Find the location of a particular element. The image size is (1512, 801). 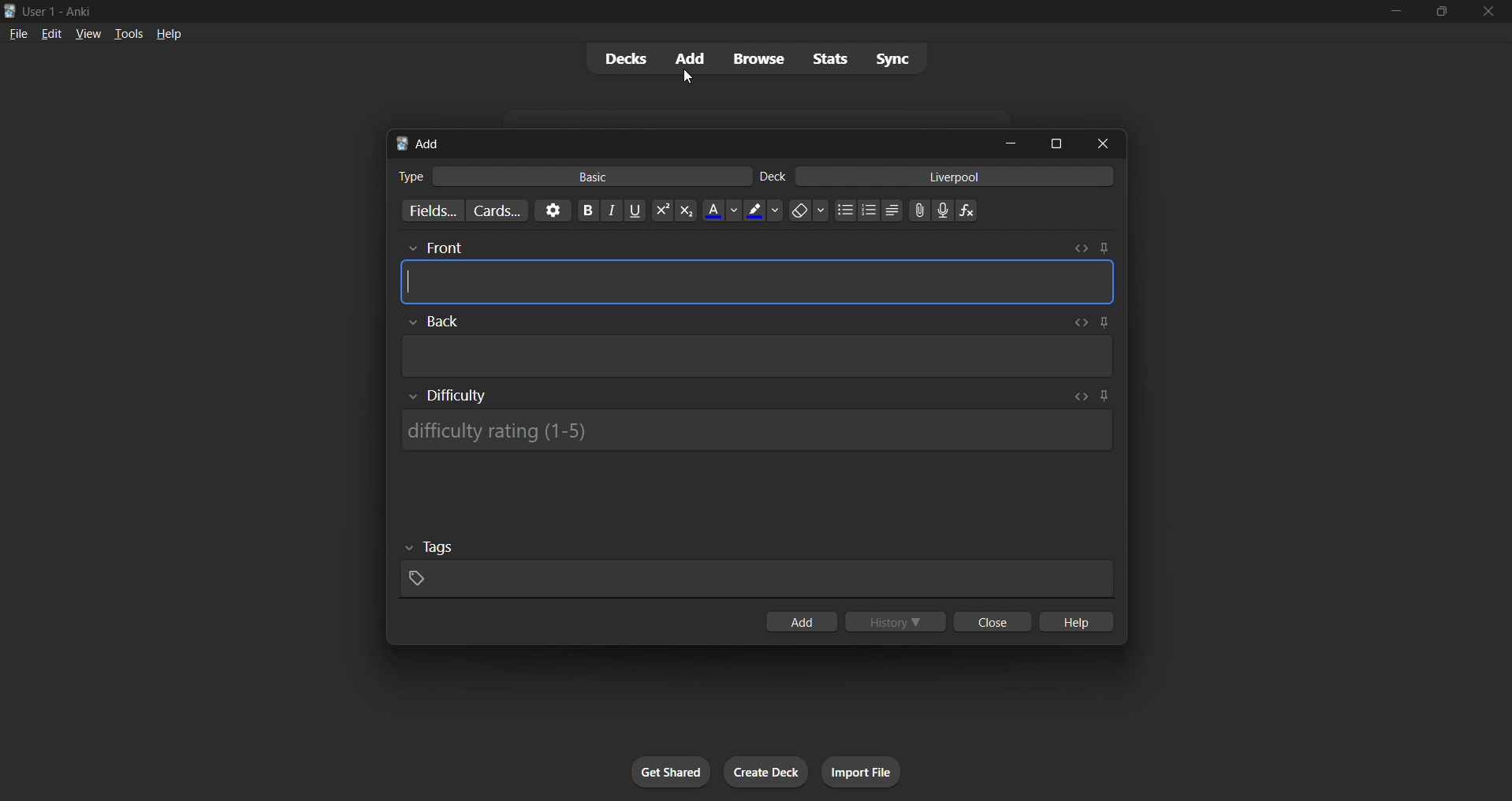

text highlight color is located at coordinates (763, 210).